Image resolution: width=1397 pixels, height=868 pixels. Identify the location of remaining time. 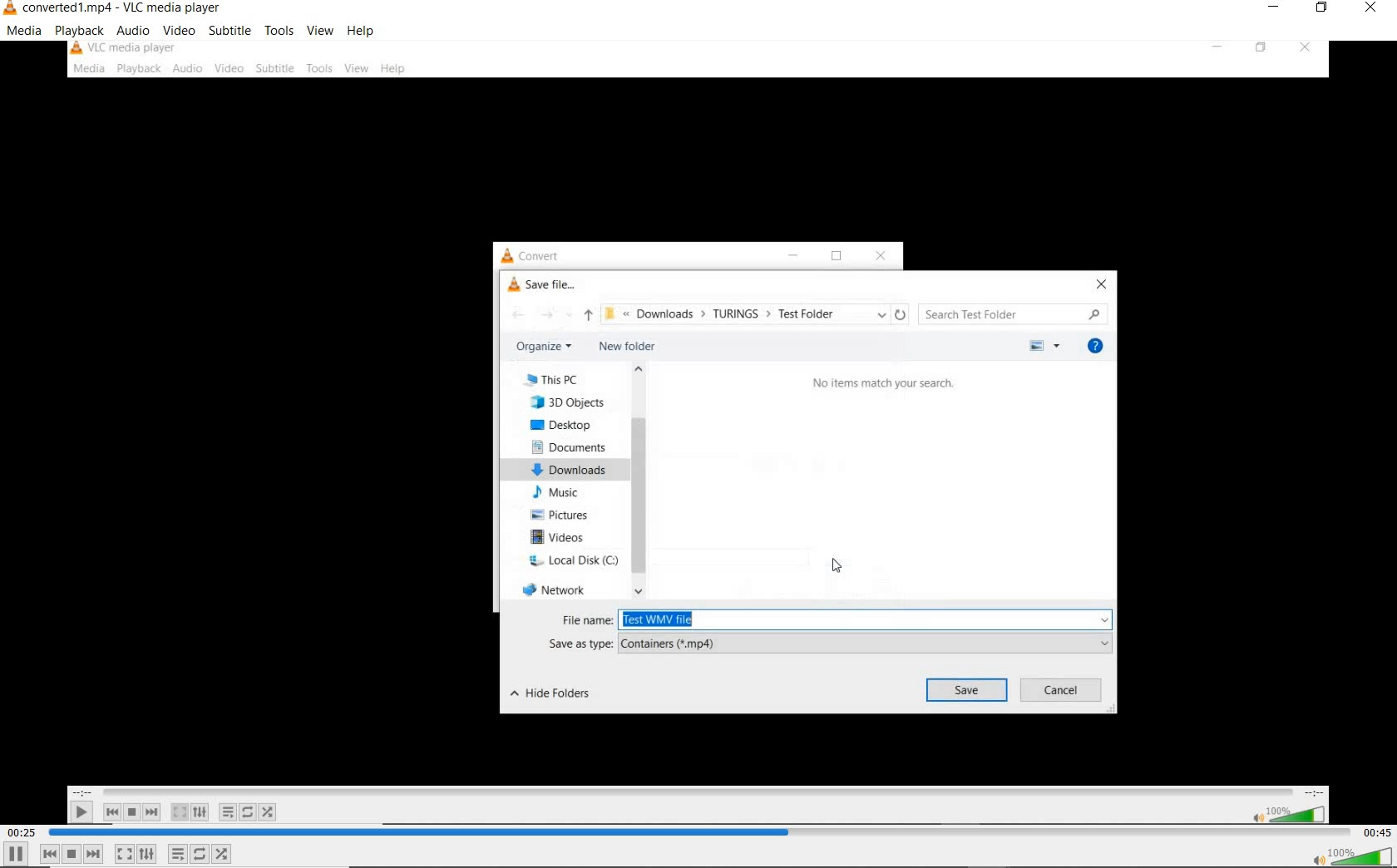
(1375, 833).